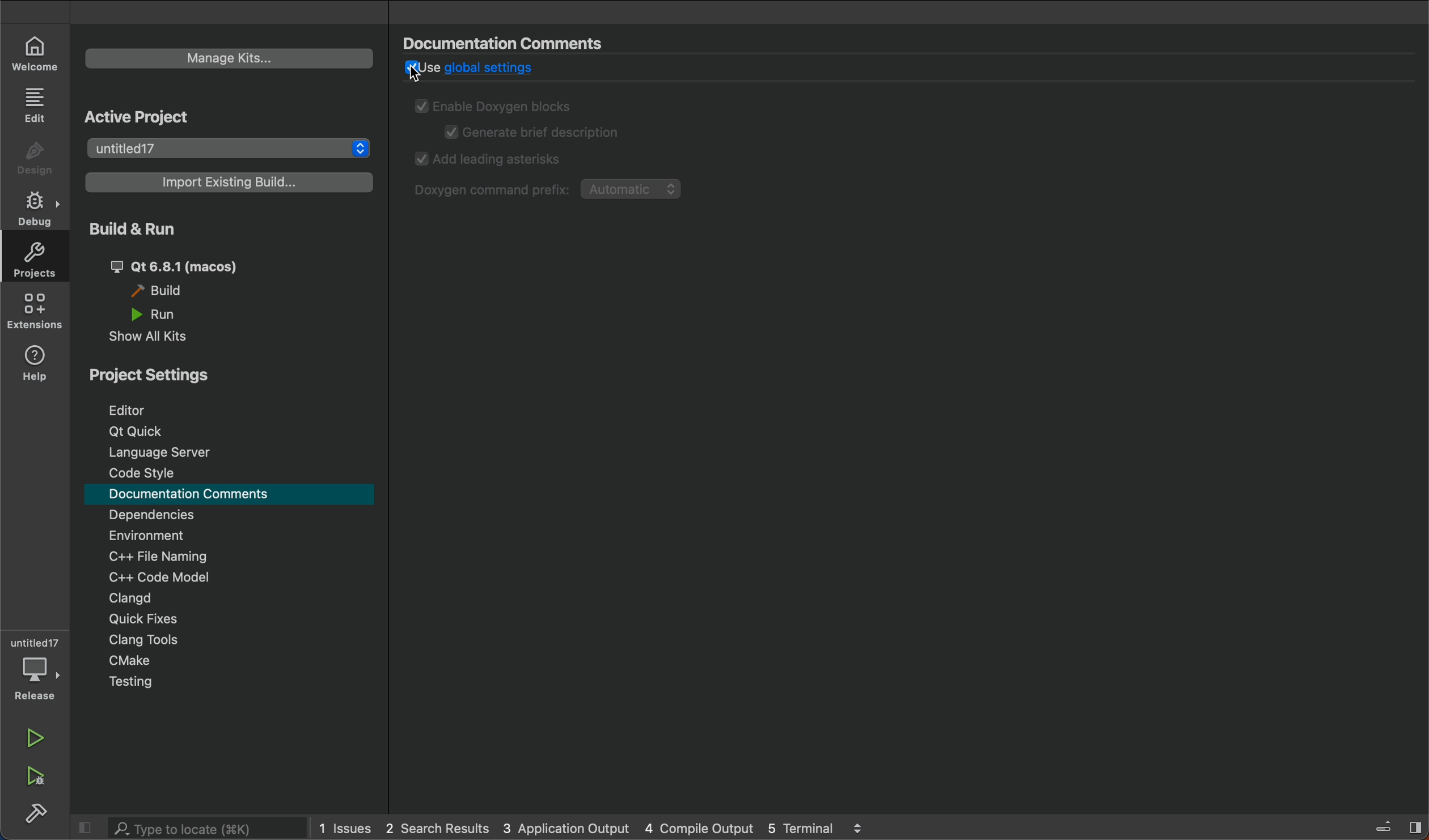  Describe the element at coordinates (231, 60) in the screenshot. I see `manage kits` at that location.